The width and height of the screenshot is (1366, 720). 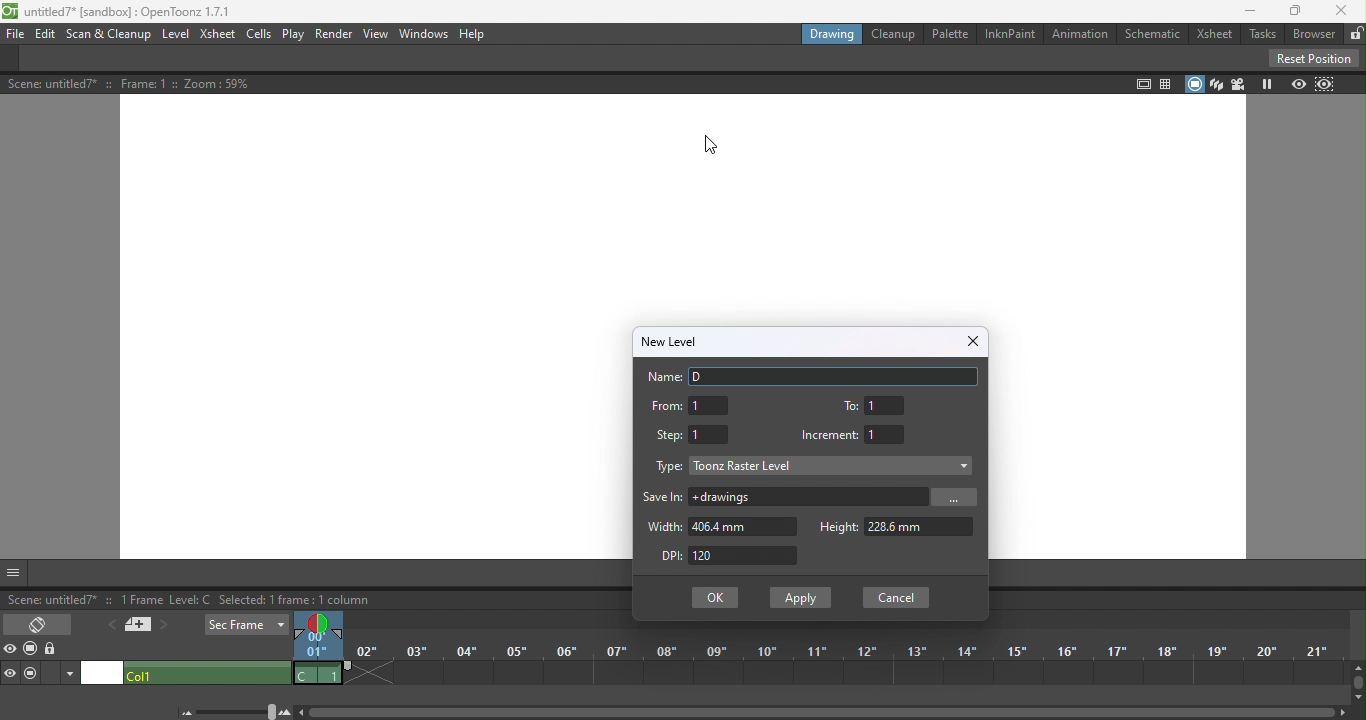 I want to click on Scene details, so click(x=149, y=84).